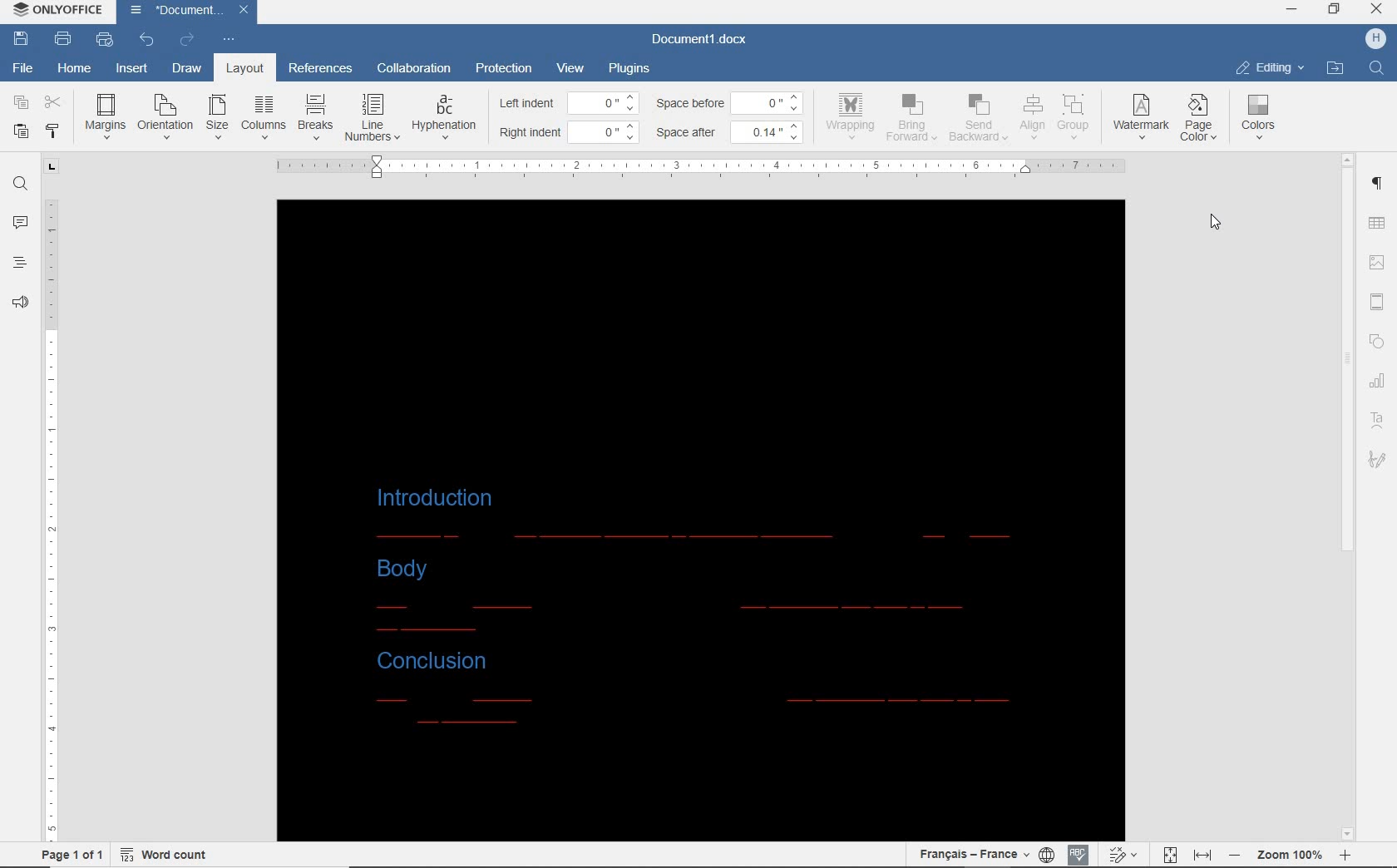  Describe the element at coordinates (73, 70) in the screenshot. I see `home` at that location.